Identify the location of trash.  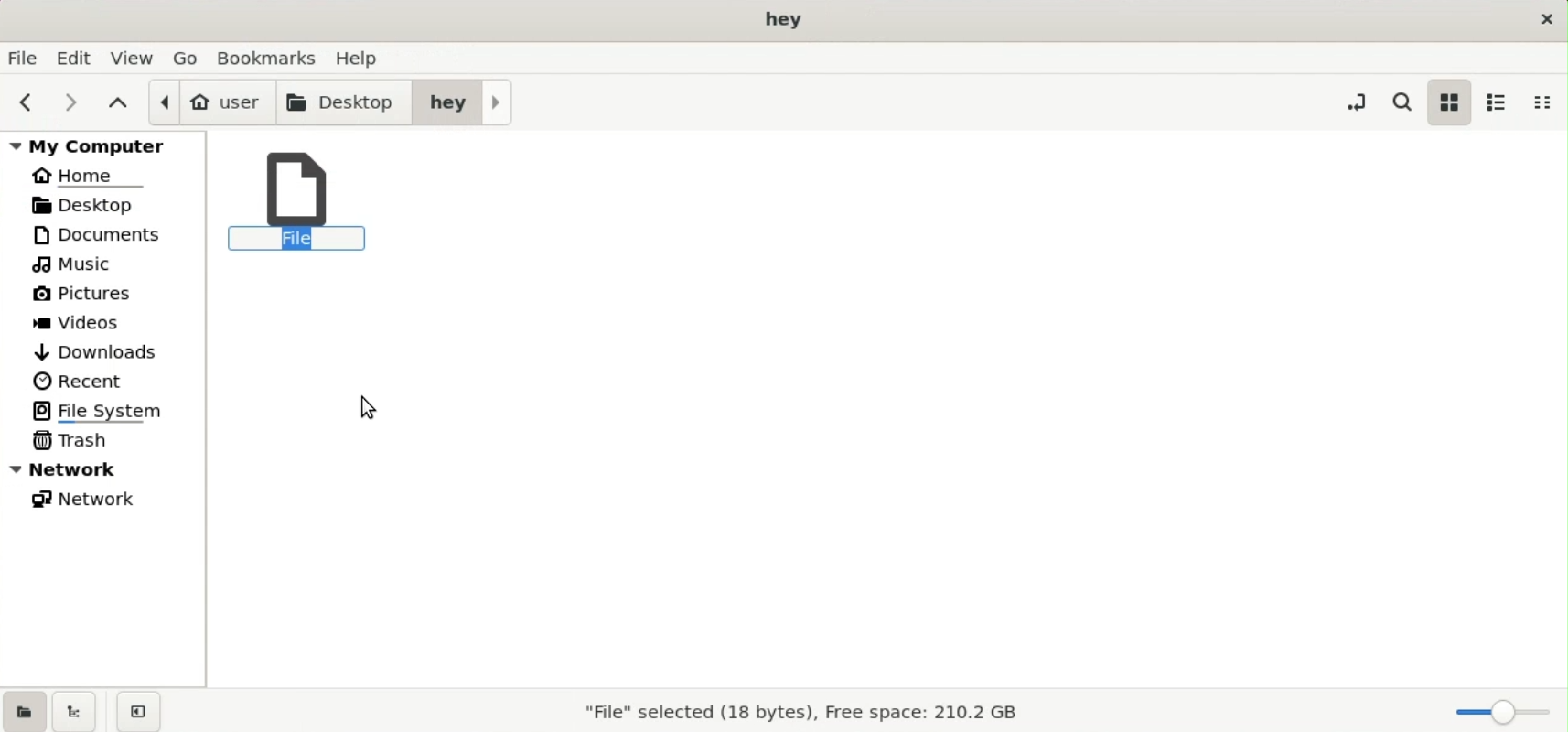
(75, 439).